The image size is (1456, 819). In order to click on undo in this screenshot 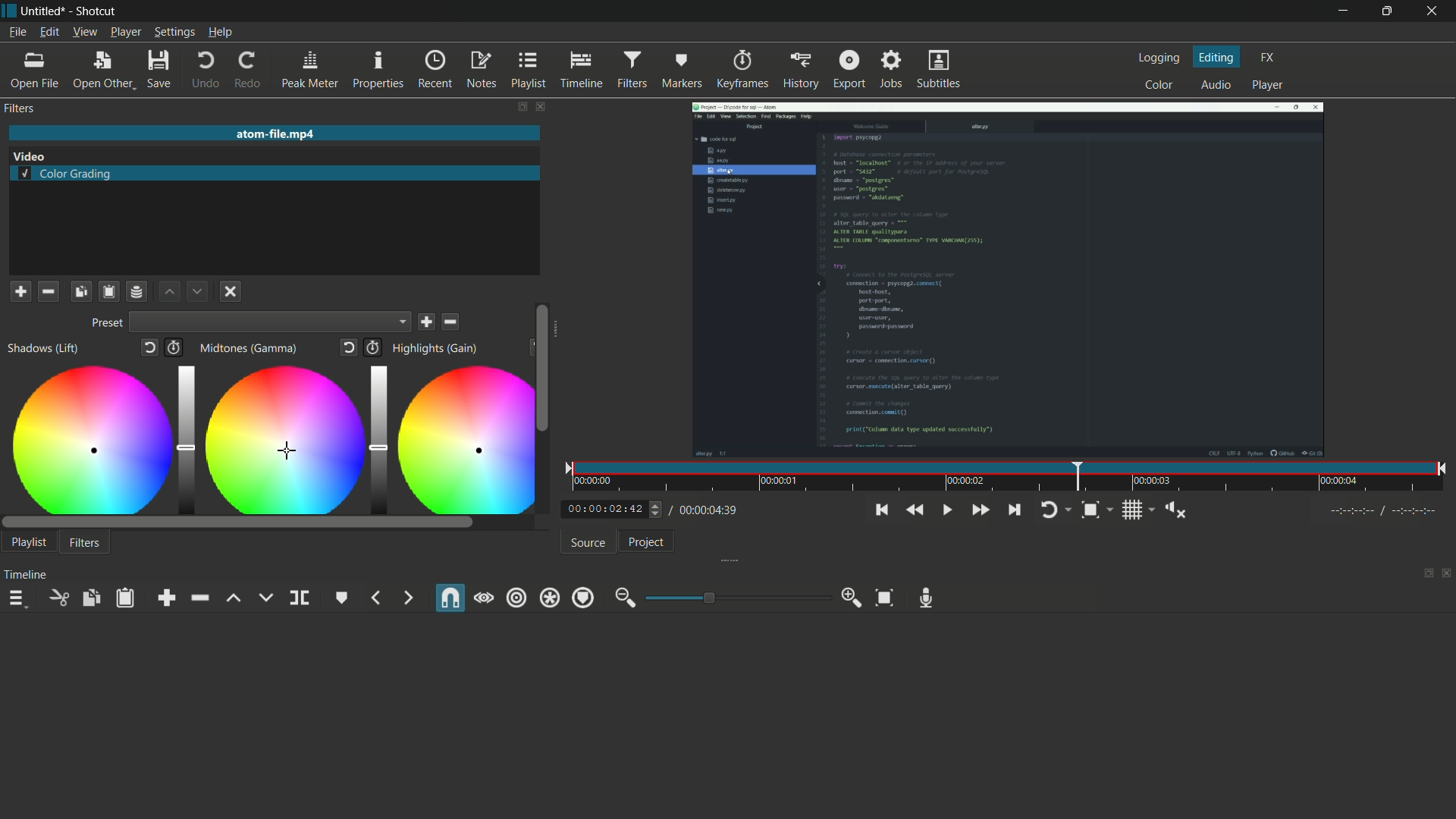, I will do `click(206, 72)`.